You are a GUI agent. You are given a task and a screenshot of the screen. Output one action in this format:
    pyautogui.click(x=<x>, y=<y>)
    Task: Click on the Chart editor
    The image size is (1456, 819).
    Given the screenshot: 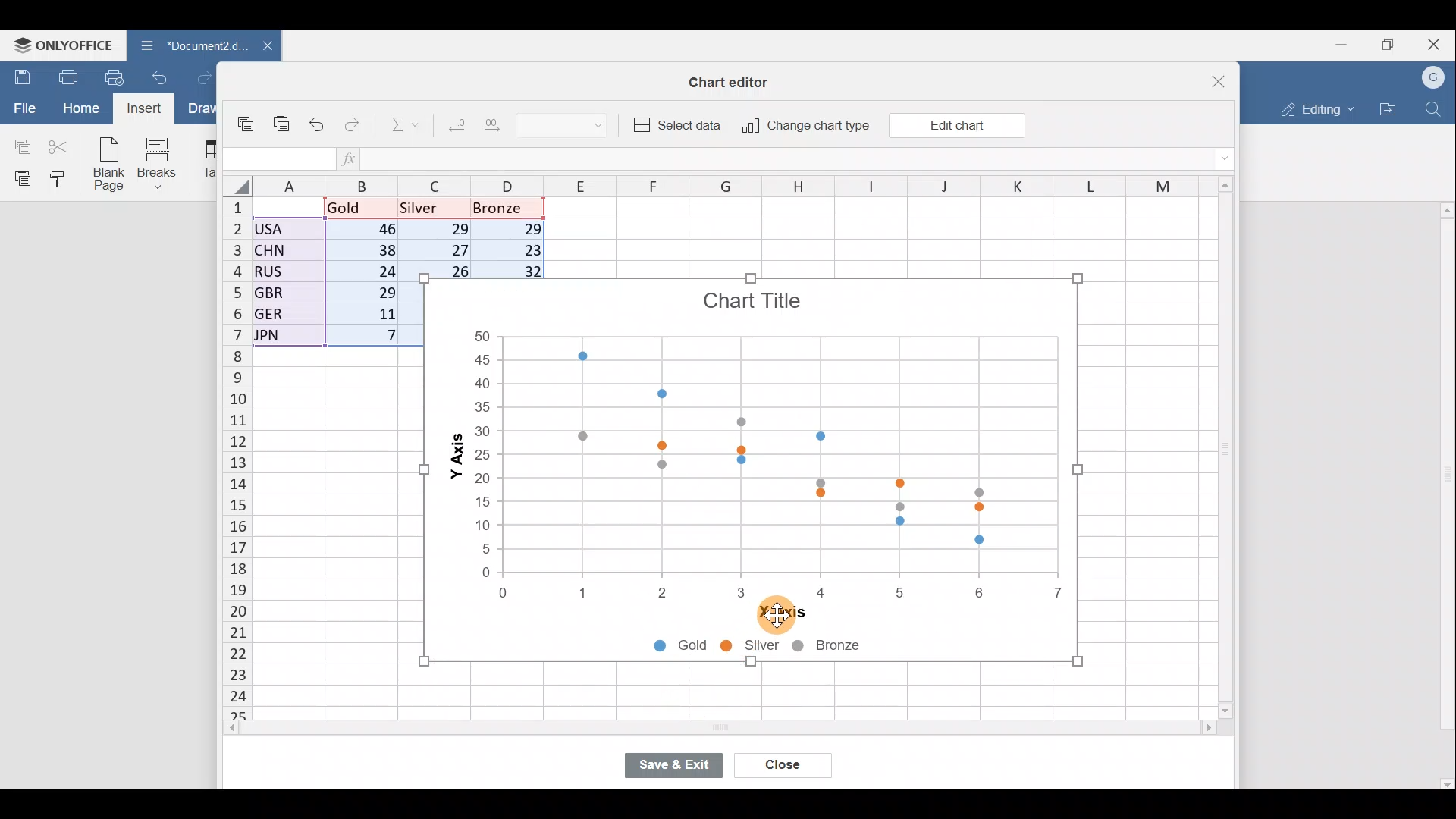 What is the action you would take?
    pyautogui.click(x=736, y=79)
    